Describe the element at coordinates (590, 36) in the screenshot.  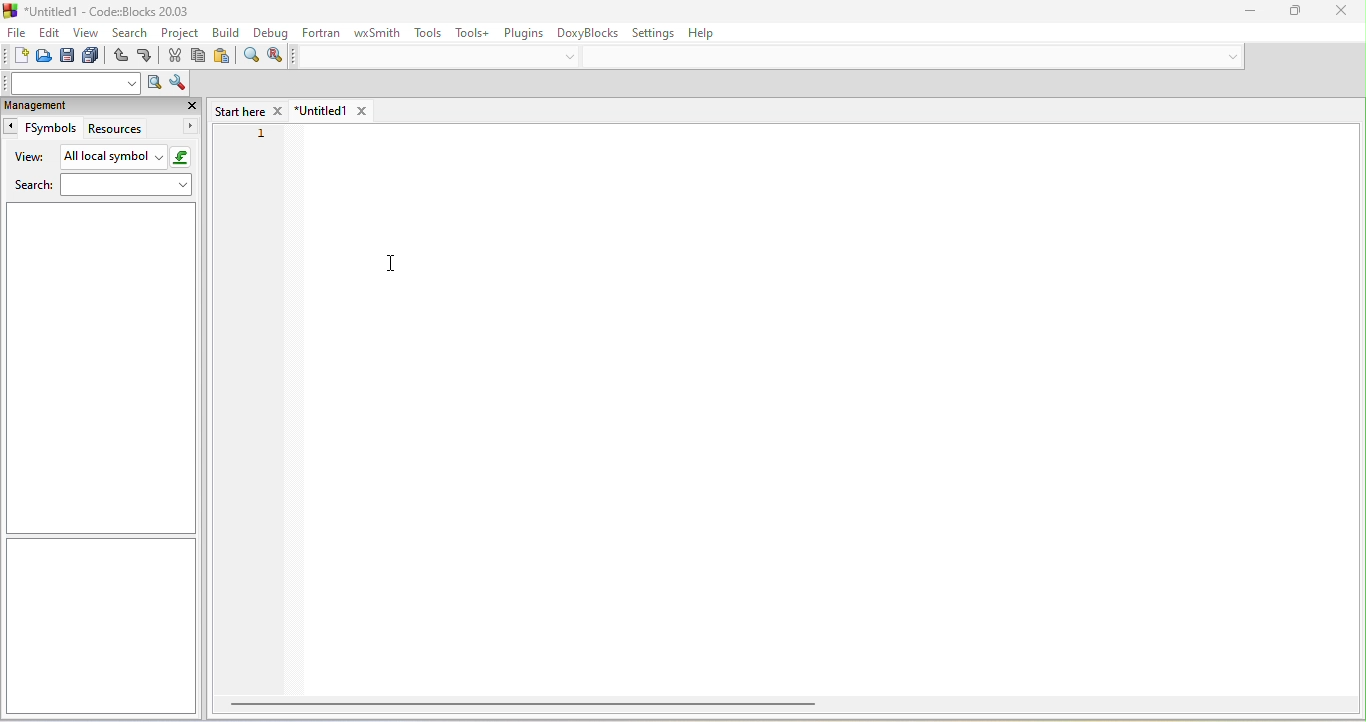
I see `doxyblocks` at that location.